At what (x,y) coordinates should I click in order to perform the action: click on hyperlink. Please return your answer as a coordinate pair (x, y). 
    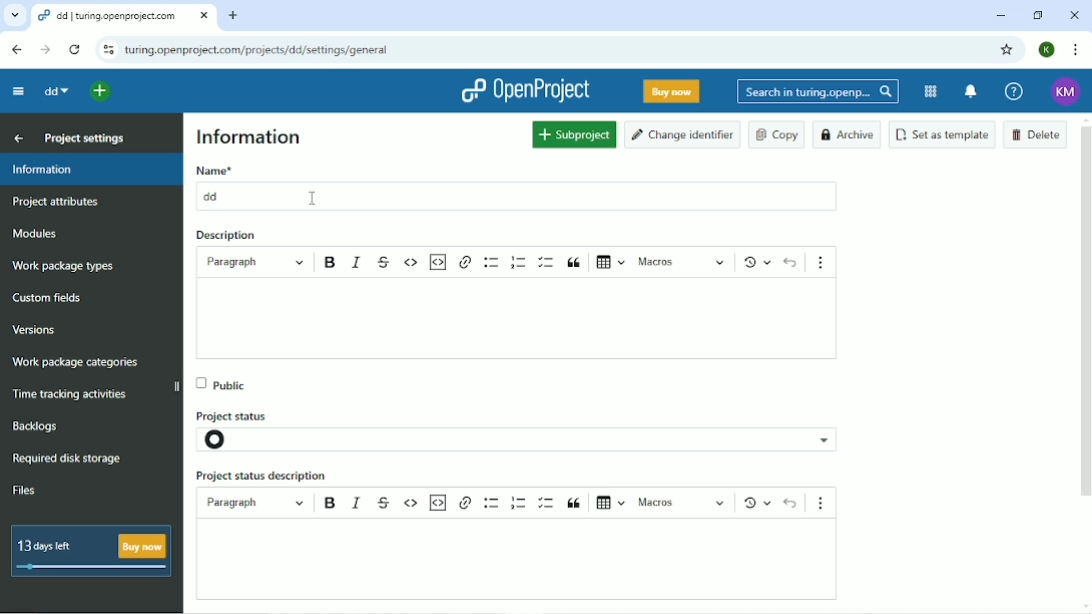
    Looking at the image, I should click on (466, 264).